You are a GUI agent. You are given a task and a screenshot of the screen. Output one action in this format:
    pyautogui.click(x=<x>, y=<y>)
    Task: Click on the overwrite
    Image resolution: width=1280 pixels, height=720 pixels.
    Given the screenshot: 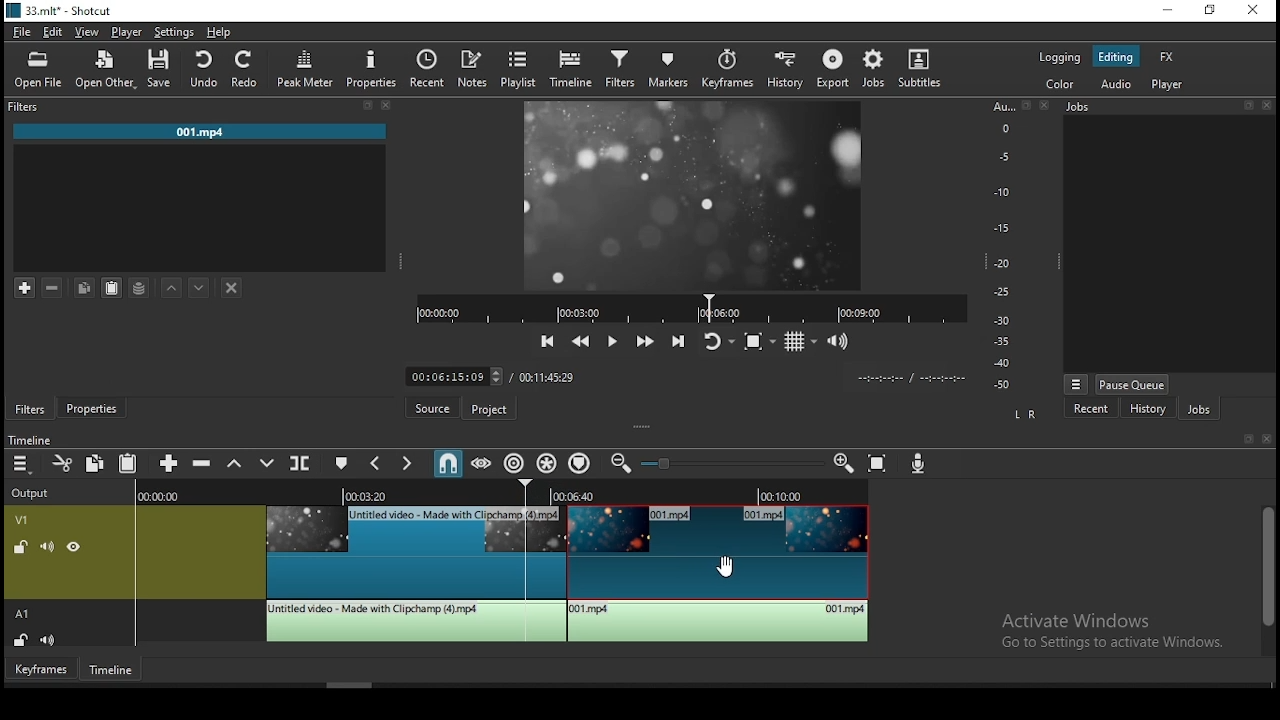 What is the action you would take?
    pyautogui.click(x=268, y=464)
    